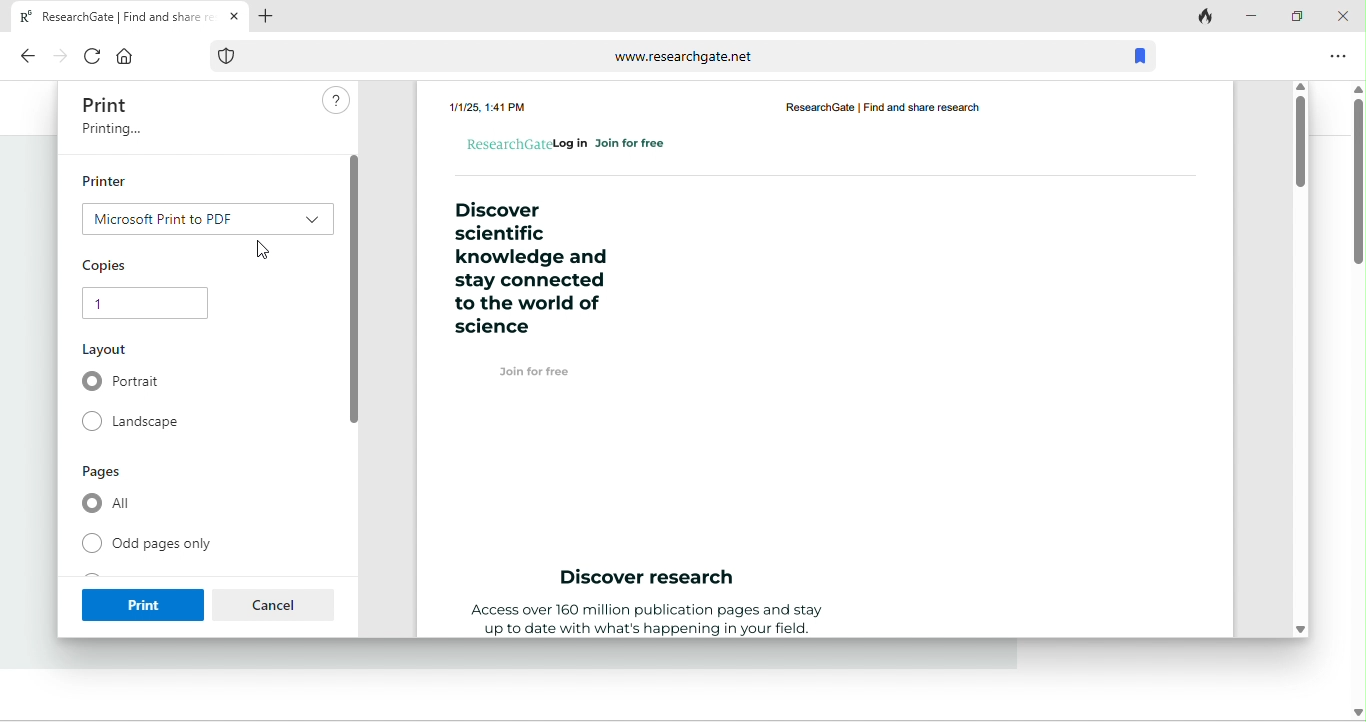 This screenshot has width=1366, height=722. What do you see at coordinates (109, 133) in the screenshot?
I see `Printing` at bounding box center [109, 133].